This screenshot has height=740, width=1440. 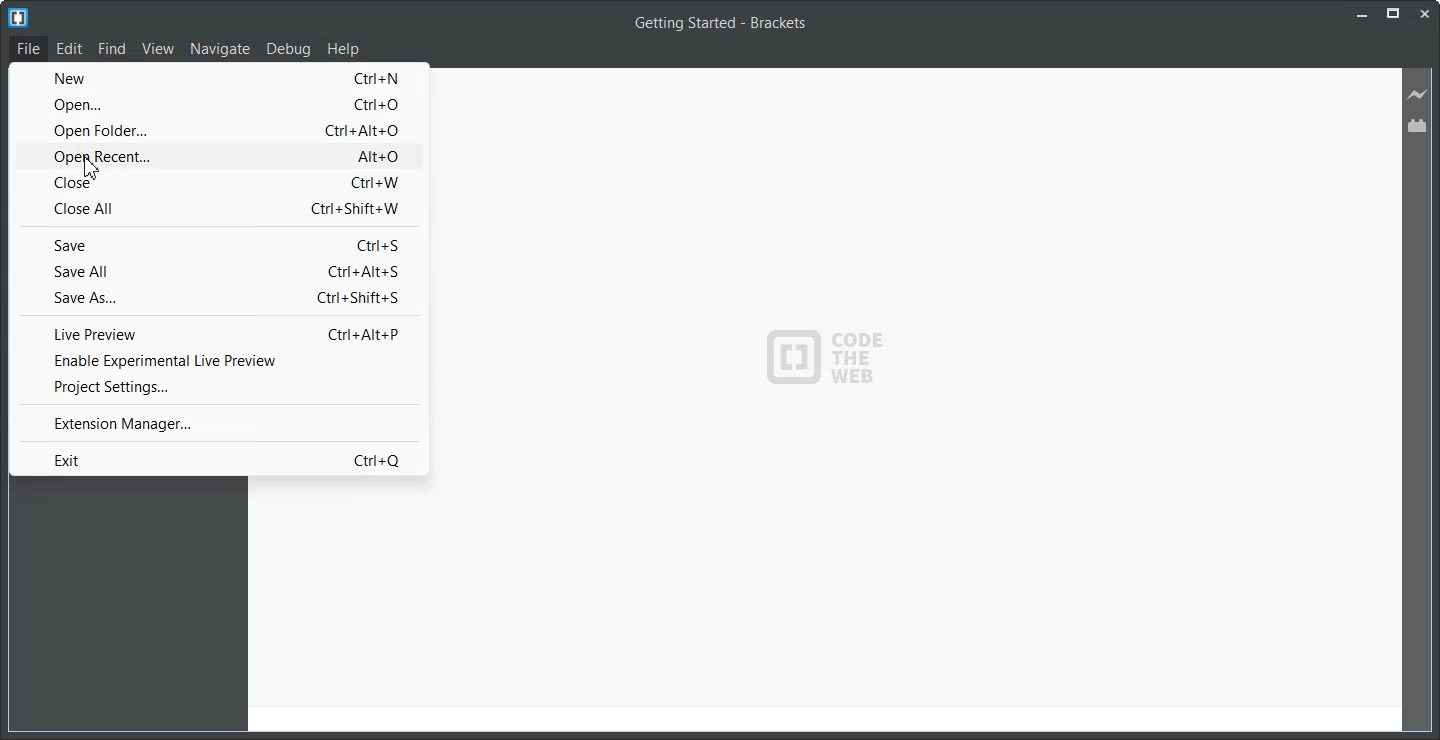 I want to click on Save As, so click(x=219, y=297).